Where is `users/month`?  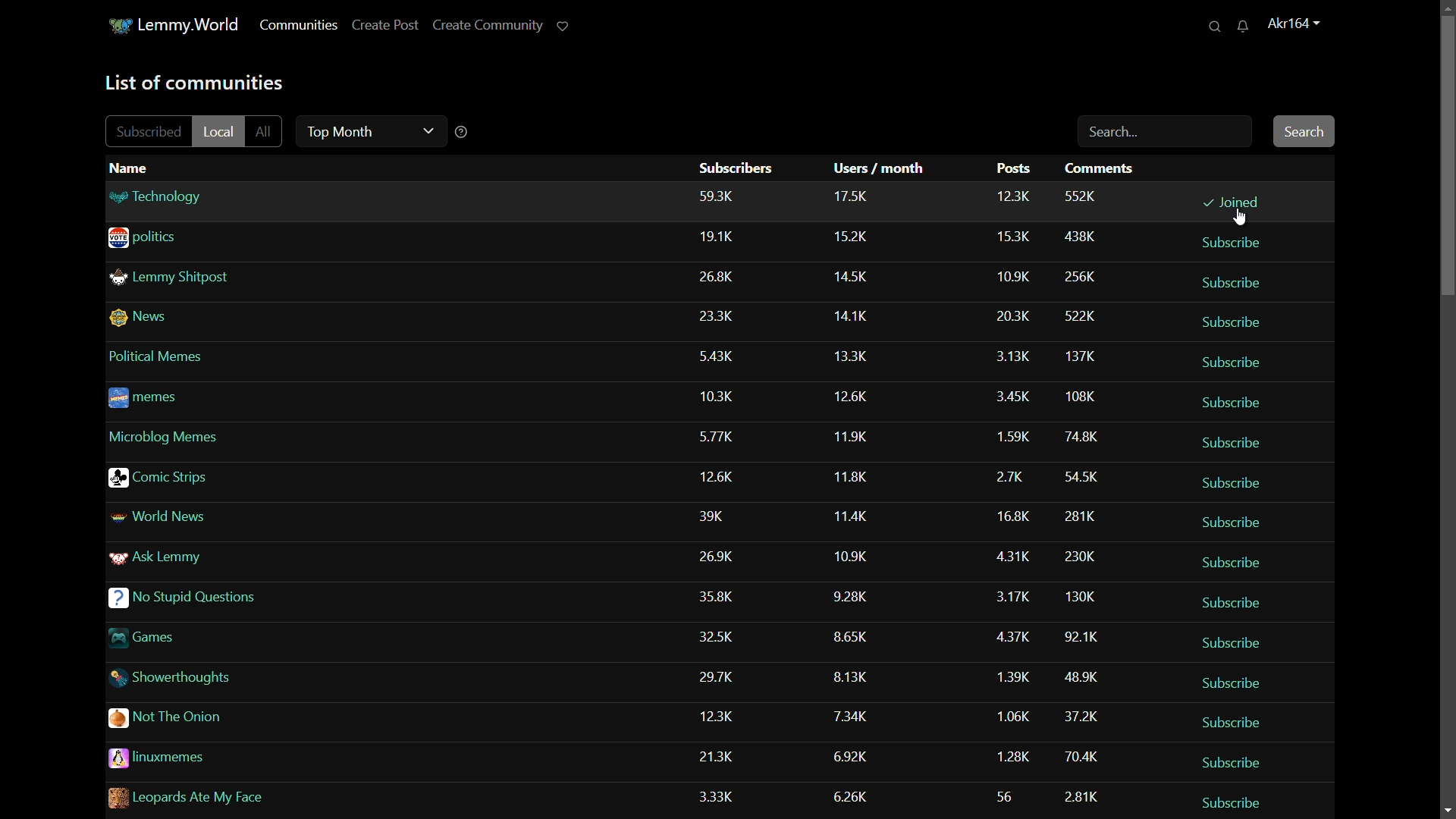 users/month is located at coordinates (882, 168).